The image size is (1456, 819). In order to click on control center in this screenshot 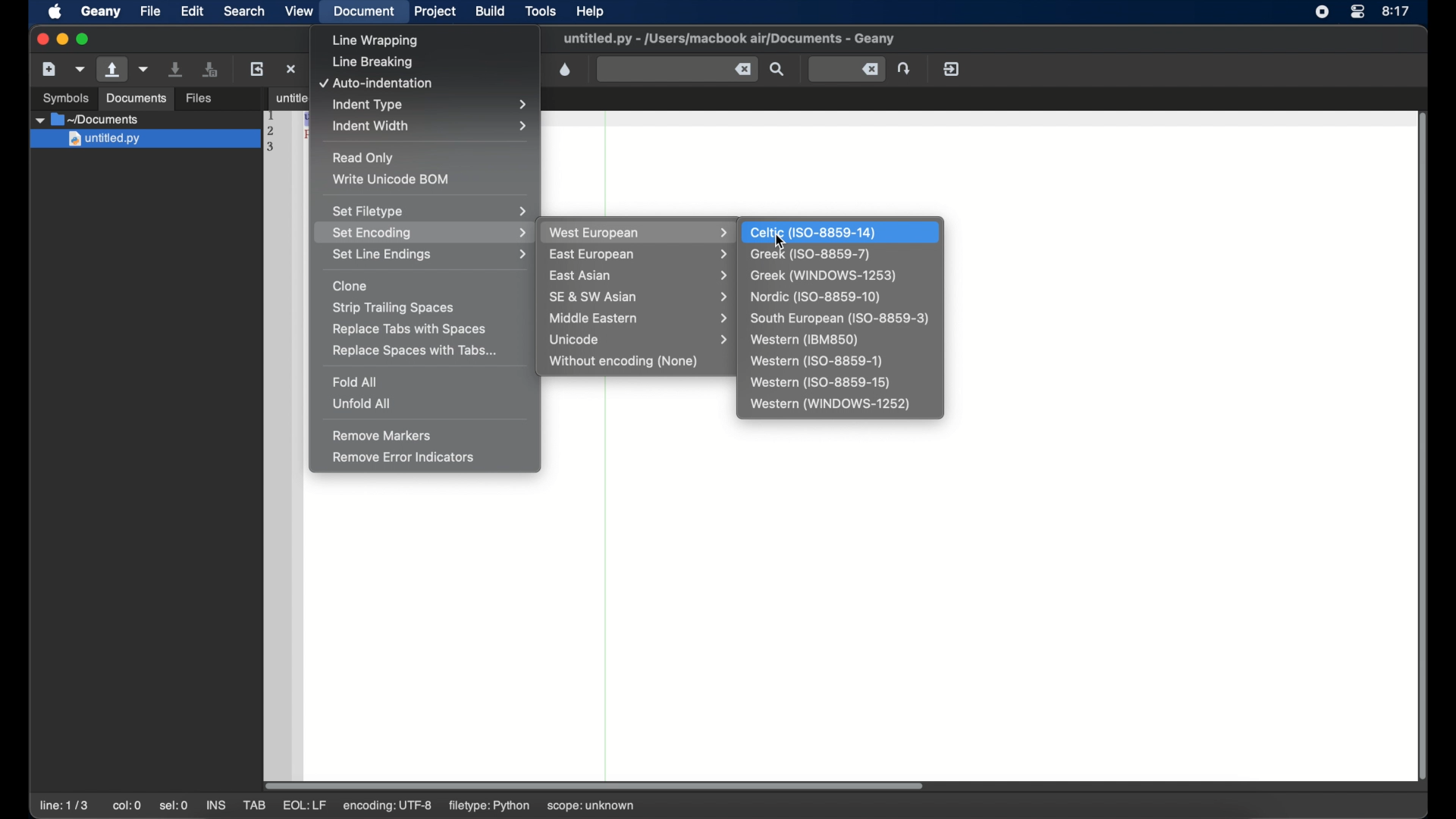, I will do `click(1357, 12)`.